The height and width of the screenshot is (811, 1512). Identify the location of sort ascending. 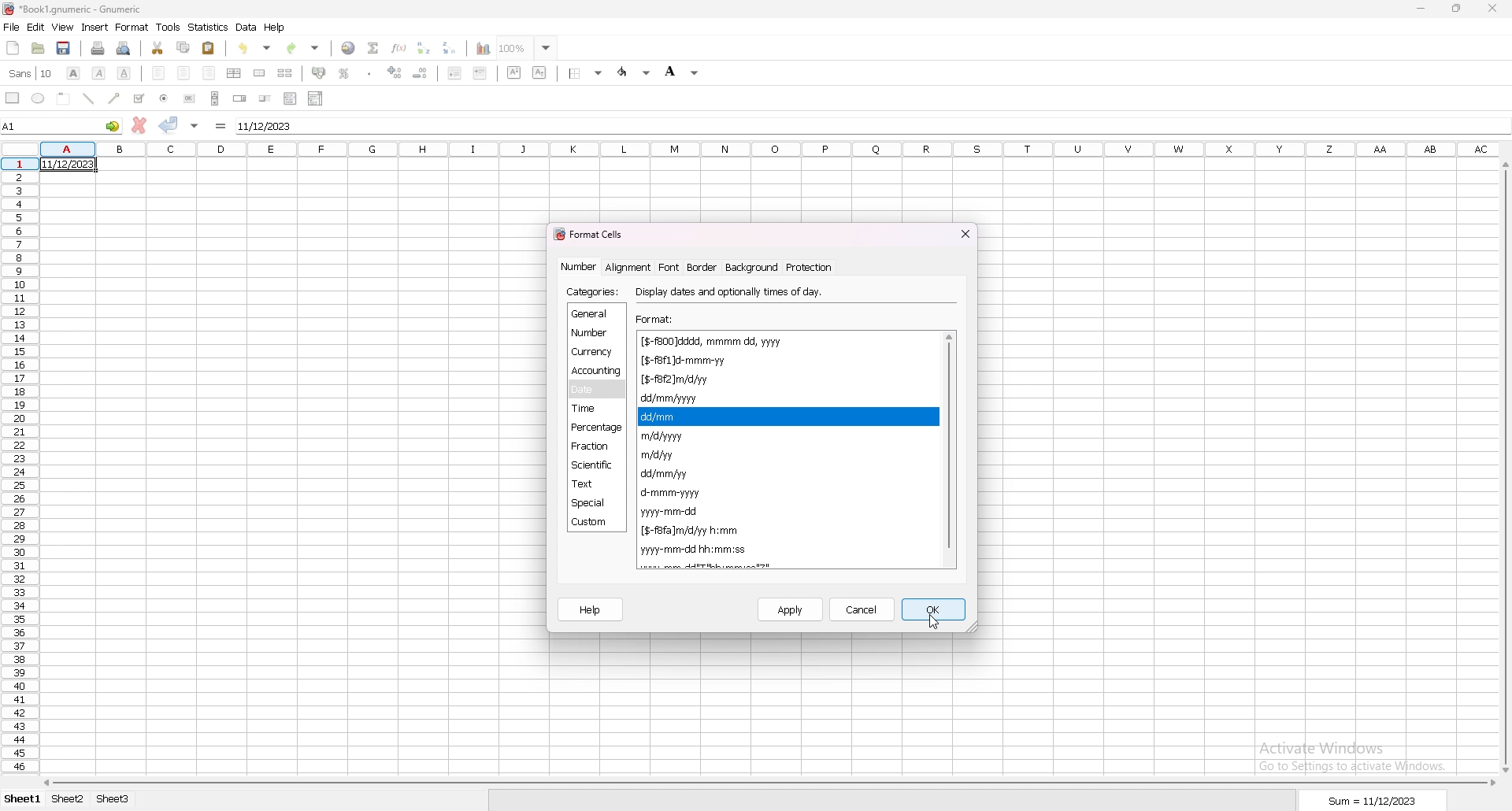
(424, 47).